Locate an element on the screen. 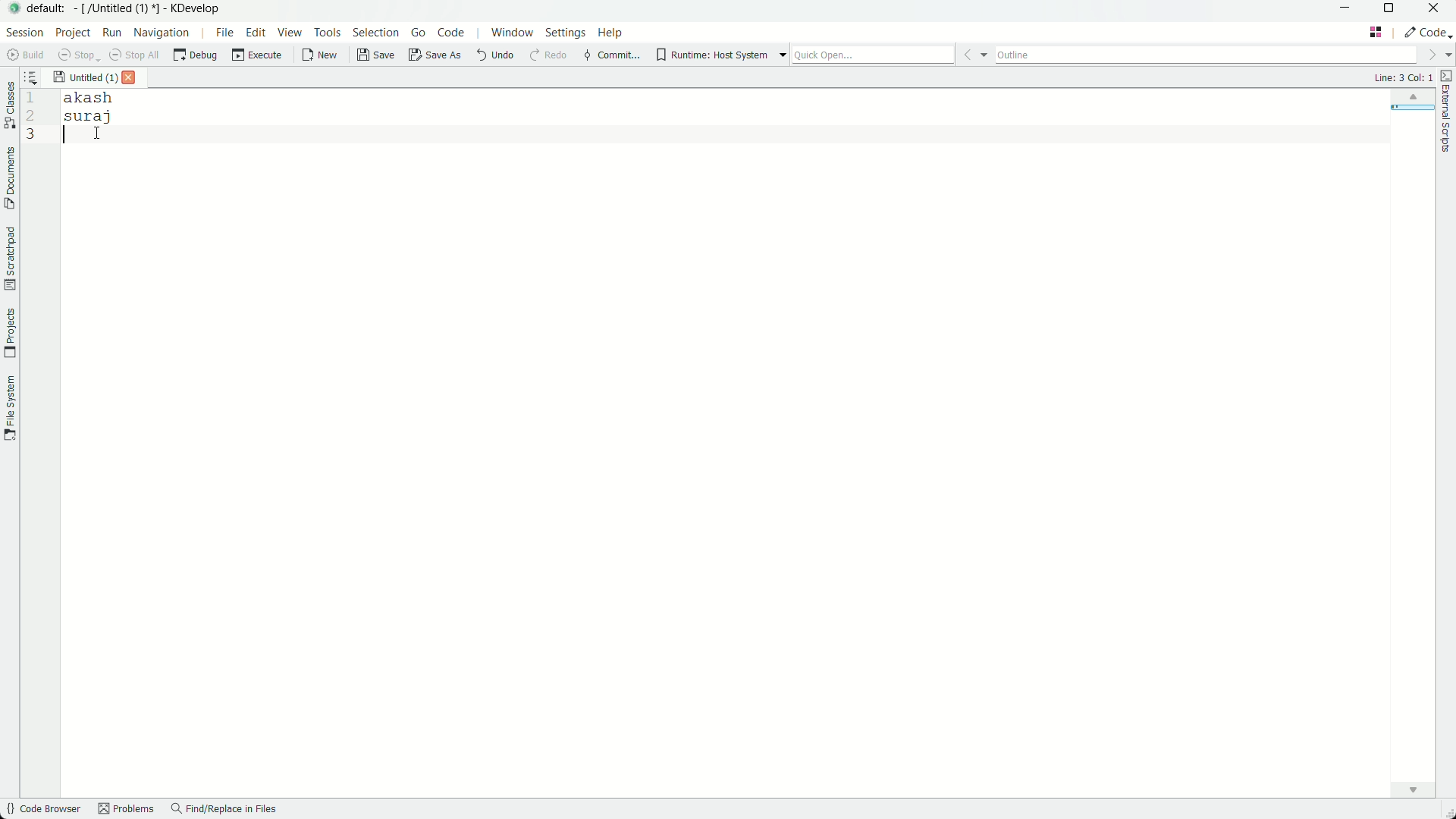 The image size is (1456, 819). save as is located at coordinates (435, 57).